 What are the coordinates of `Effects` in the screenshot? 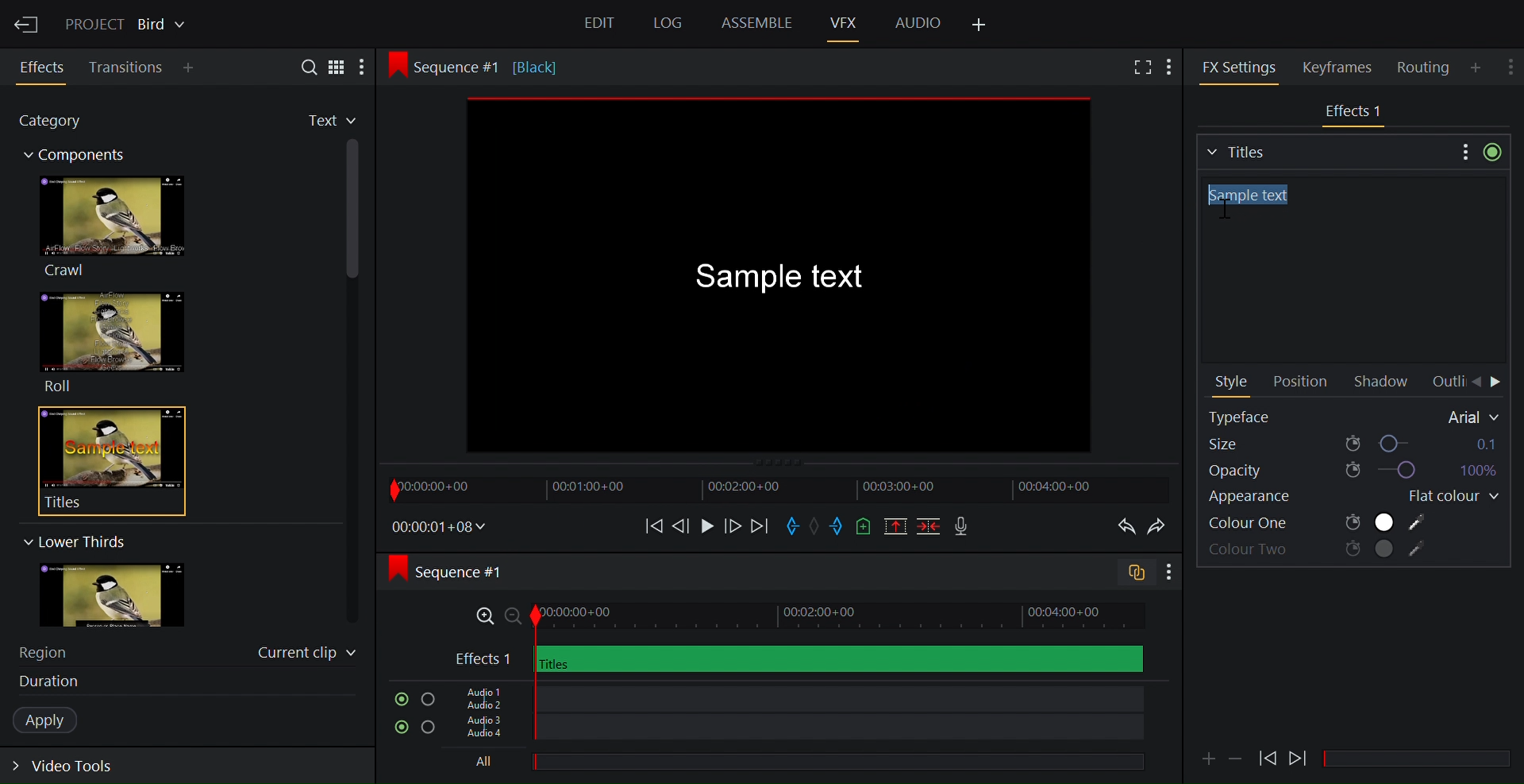 It's located at (44, 67).